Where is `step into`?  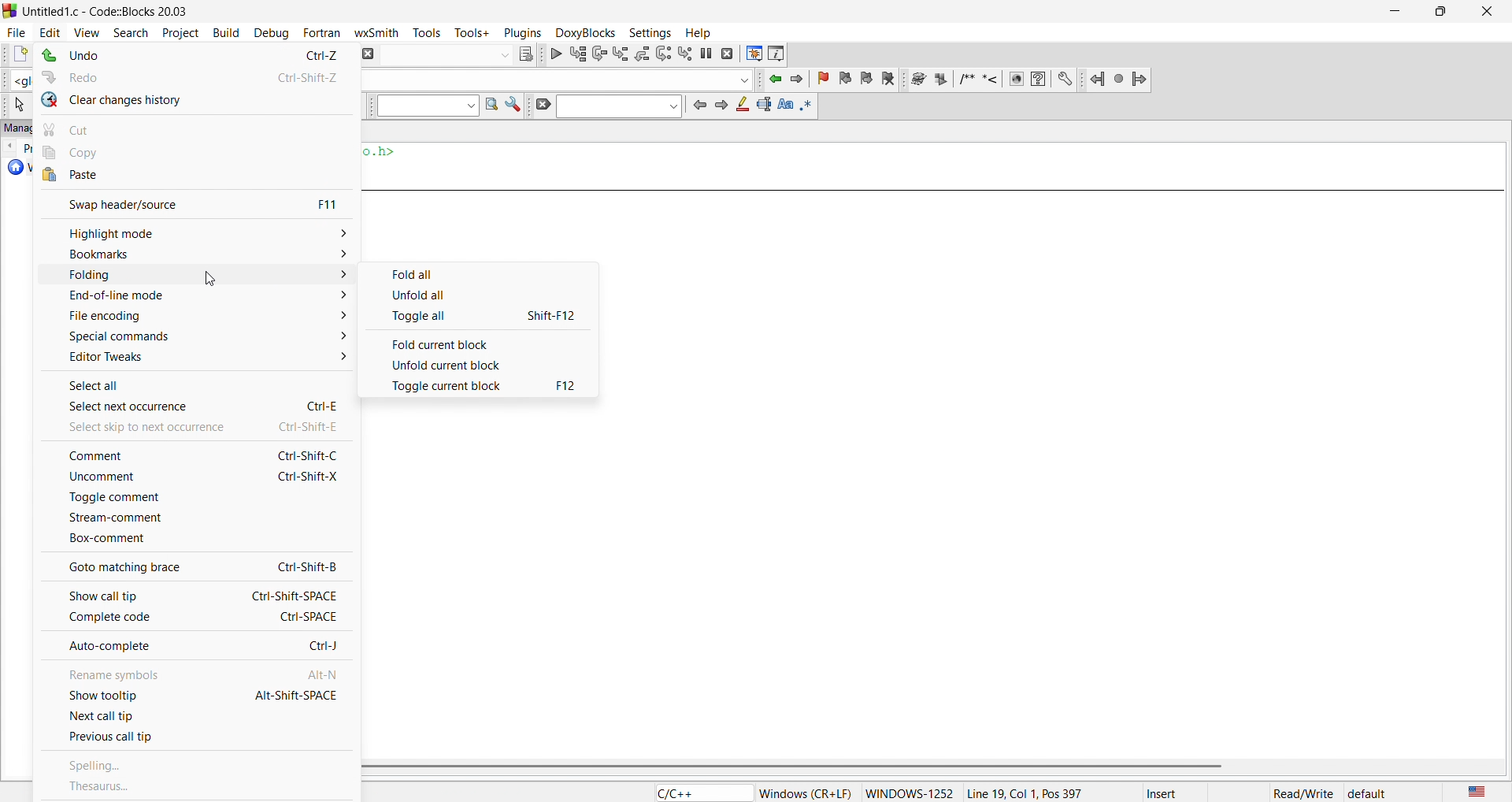 step into is located at coordinates (621, 54).